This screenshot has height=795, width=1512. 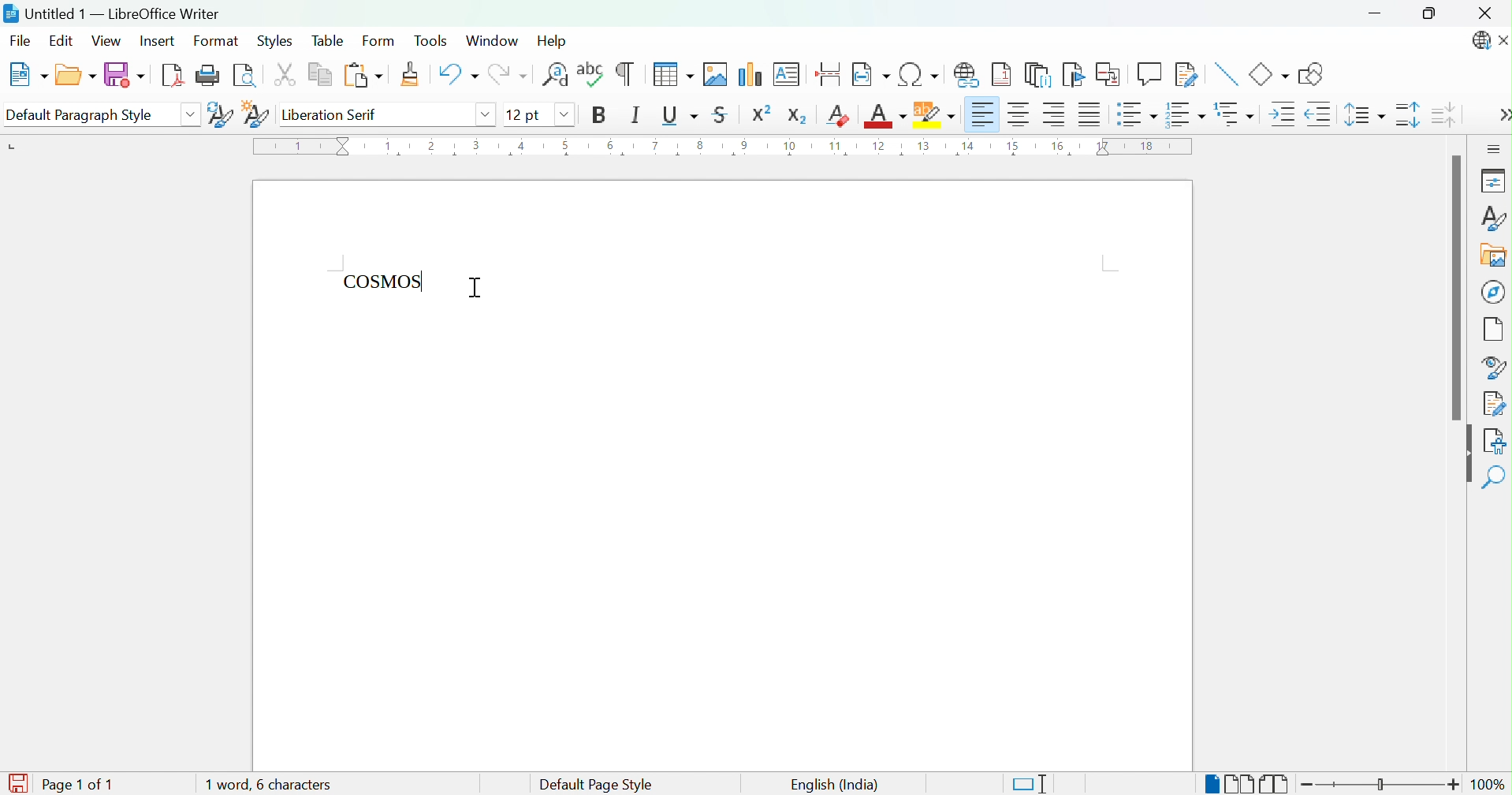 I want to click on Underline, so click(x=679, y=115).